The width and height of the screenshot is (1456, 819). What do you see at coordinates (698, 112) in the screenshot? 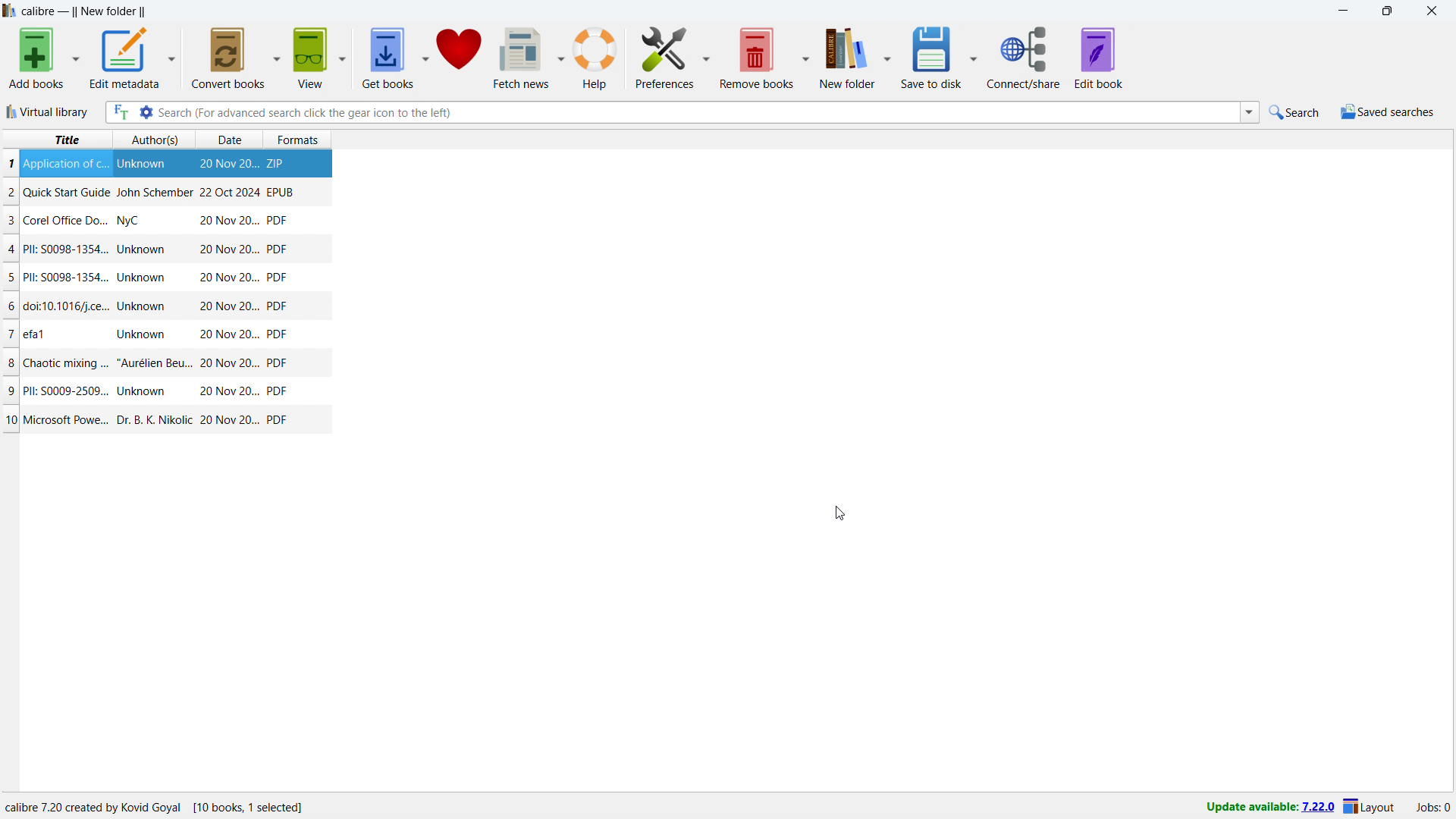
I see `enter search string` at bounding box center [698, 112].